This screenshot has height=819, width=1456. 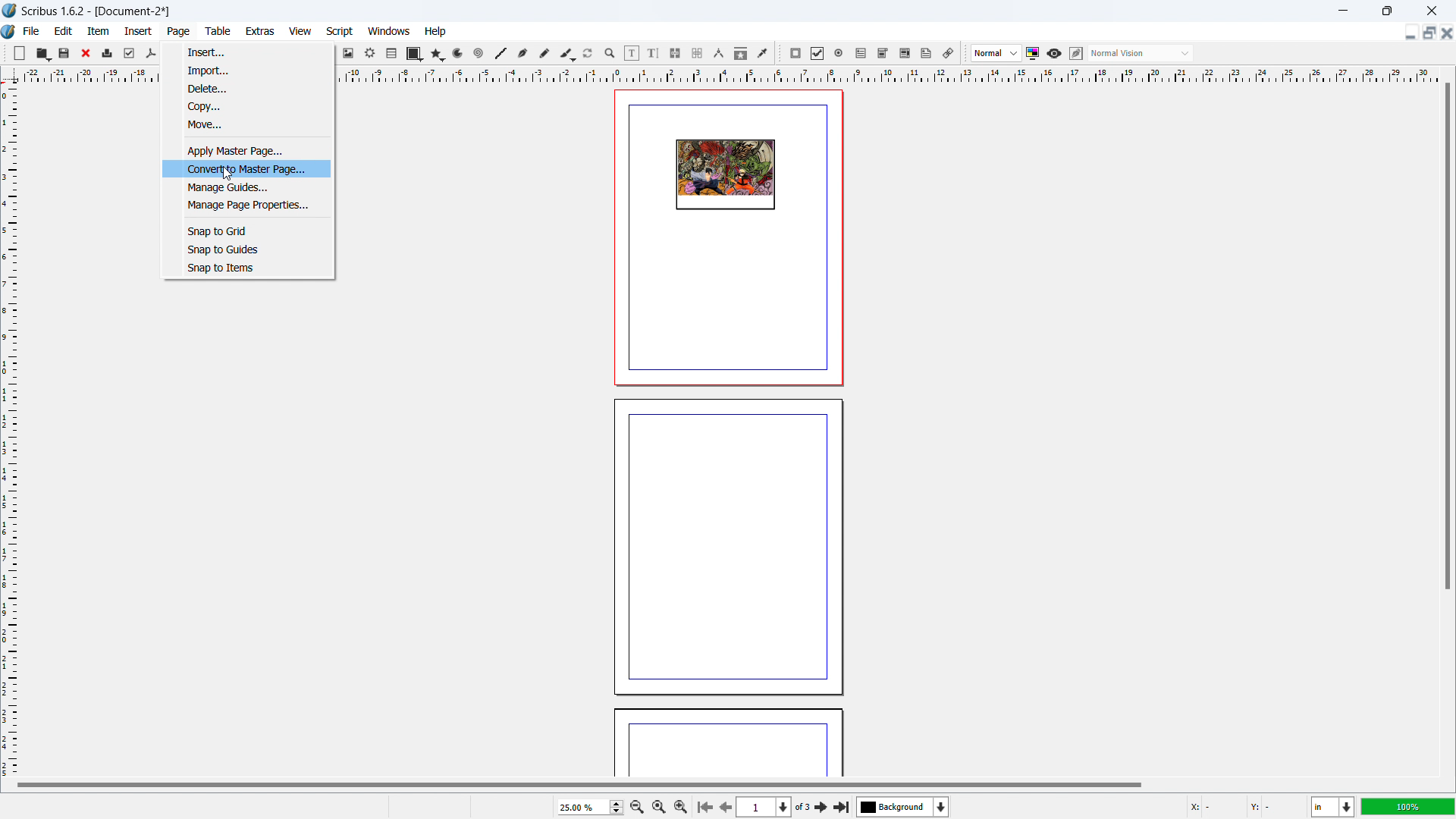 What do you see at coordinates (248, 106) in the screenshot?
I see `copy` at bounding box center [248, 106].